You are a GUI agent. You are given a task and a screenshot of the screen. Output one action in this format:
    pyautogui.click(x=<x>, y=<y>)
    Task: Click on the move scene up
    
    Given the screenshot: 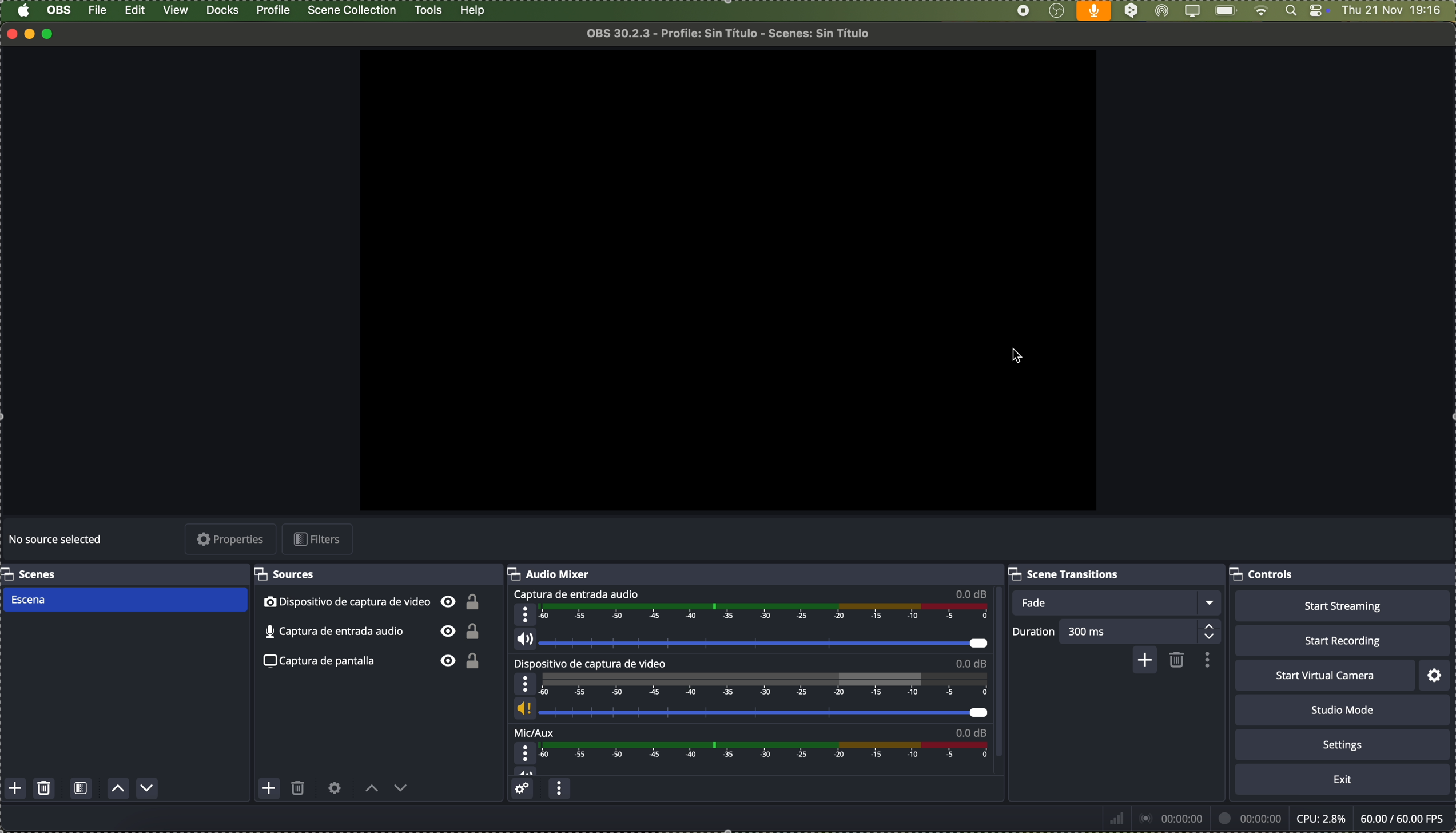 What is the action you would take?
    pyautogui.click(x=119, y=790)
    